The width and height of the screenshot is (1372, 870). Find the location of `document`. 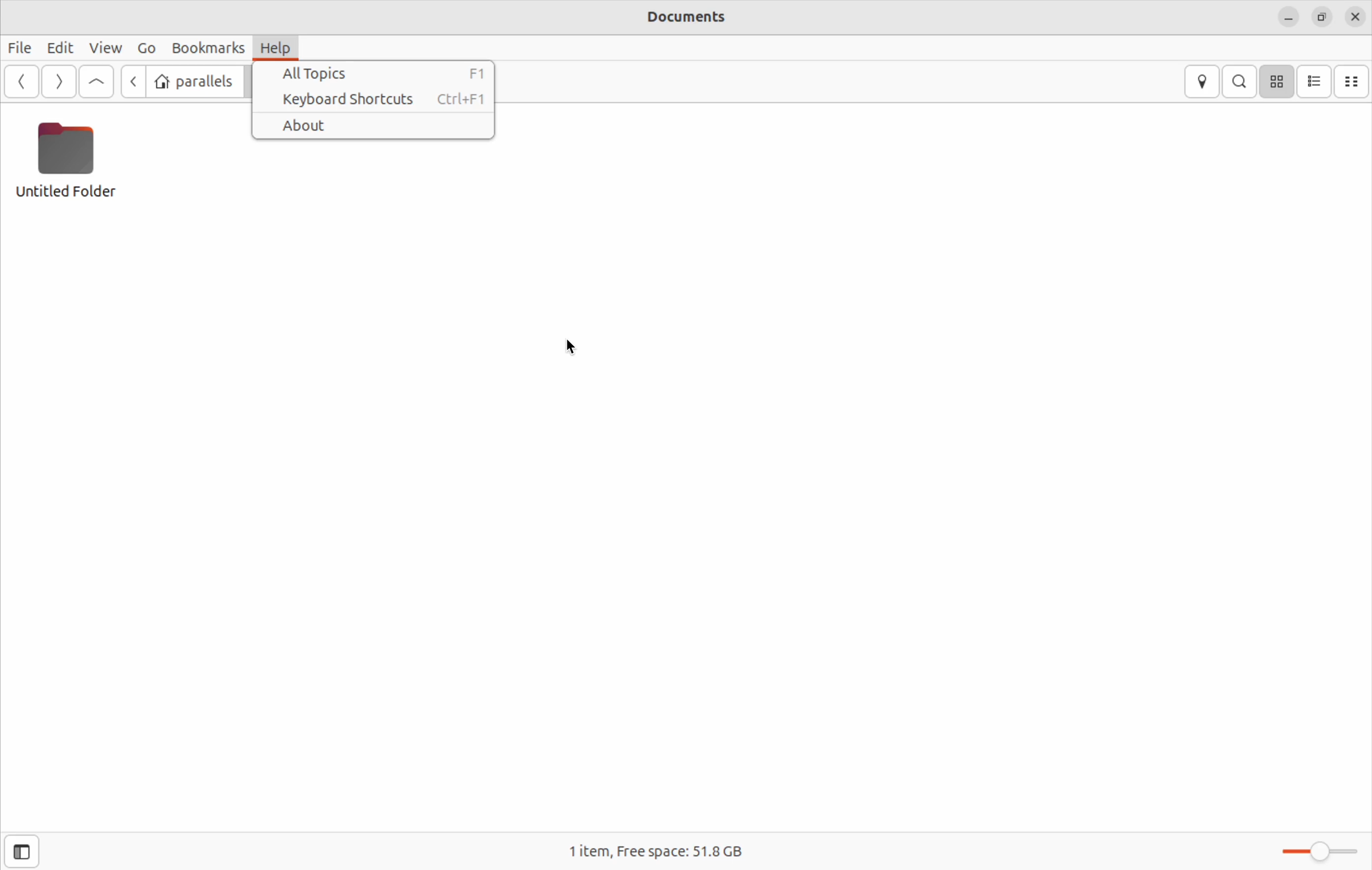

document is located at coordinates (683, 19).